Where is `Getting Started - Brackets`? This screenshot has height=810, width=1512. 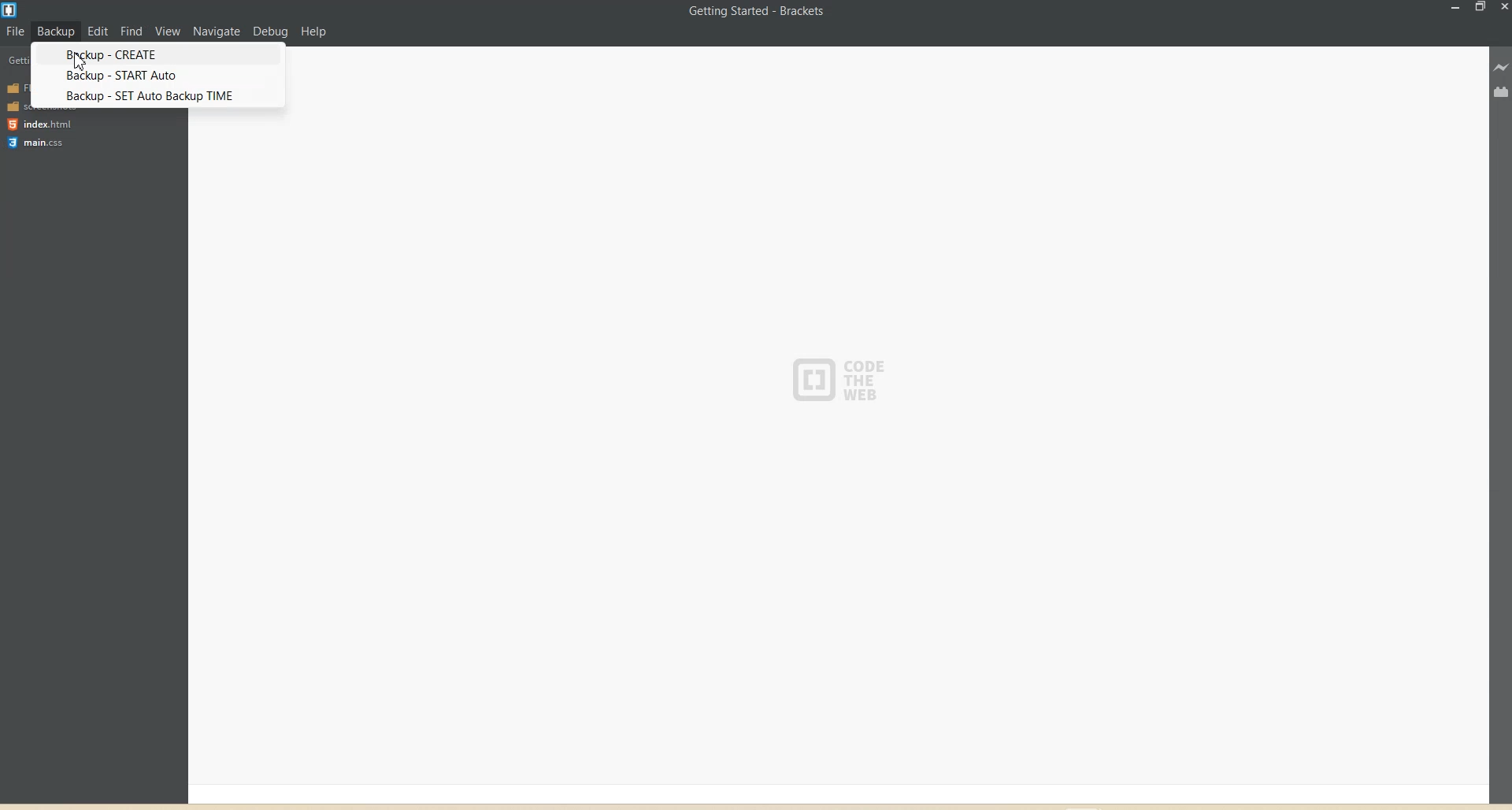 Getting Started - Brackets is located at coordinates (756, 12).